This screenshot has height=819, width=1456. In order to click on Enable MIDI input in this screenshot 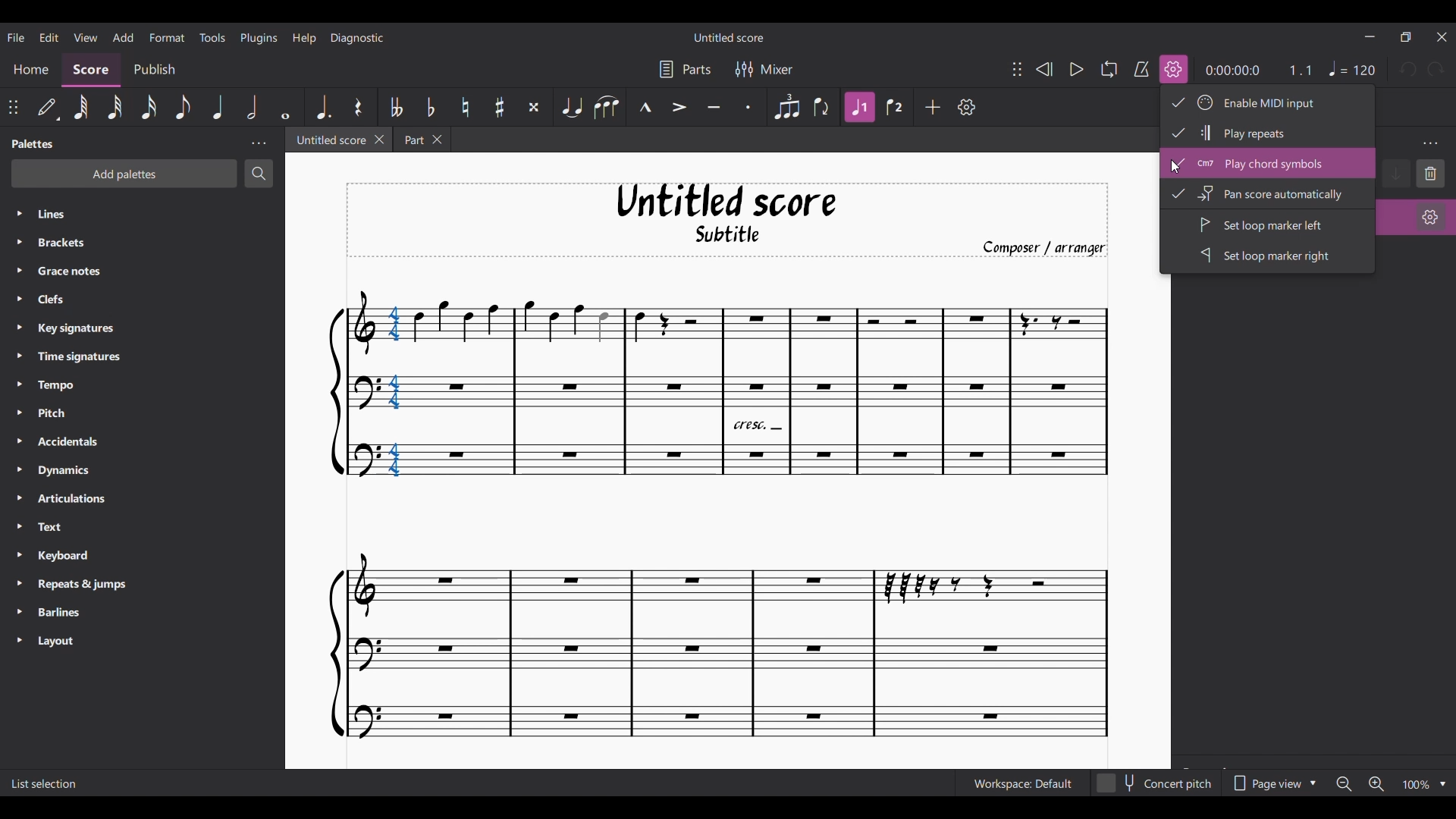, I will do `click(1282, 102)`.